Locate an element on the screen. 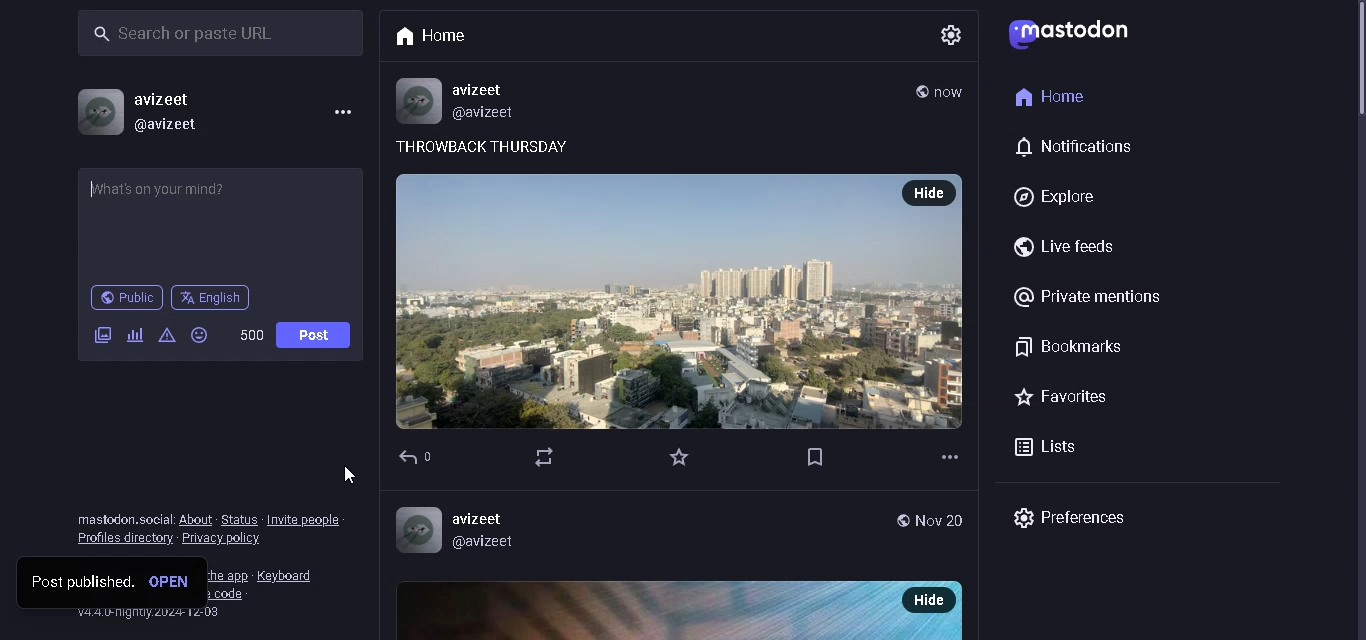 The width and height of the screenshot is (1366, 640). bookmarks is located at coordinates (1066, 347).